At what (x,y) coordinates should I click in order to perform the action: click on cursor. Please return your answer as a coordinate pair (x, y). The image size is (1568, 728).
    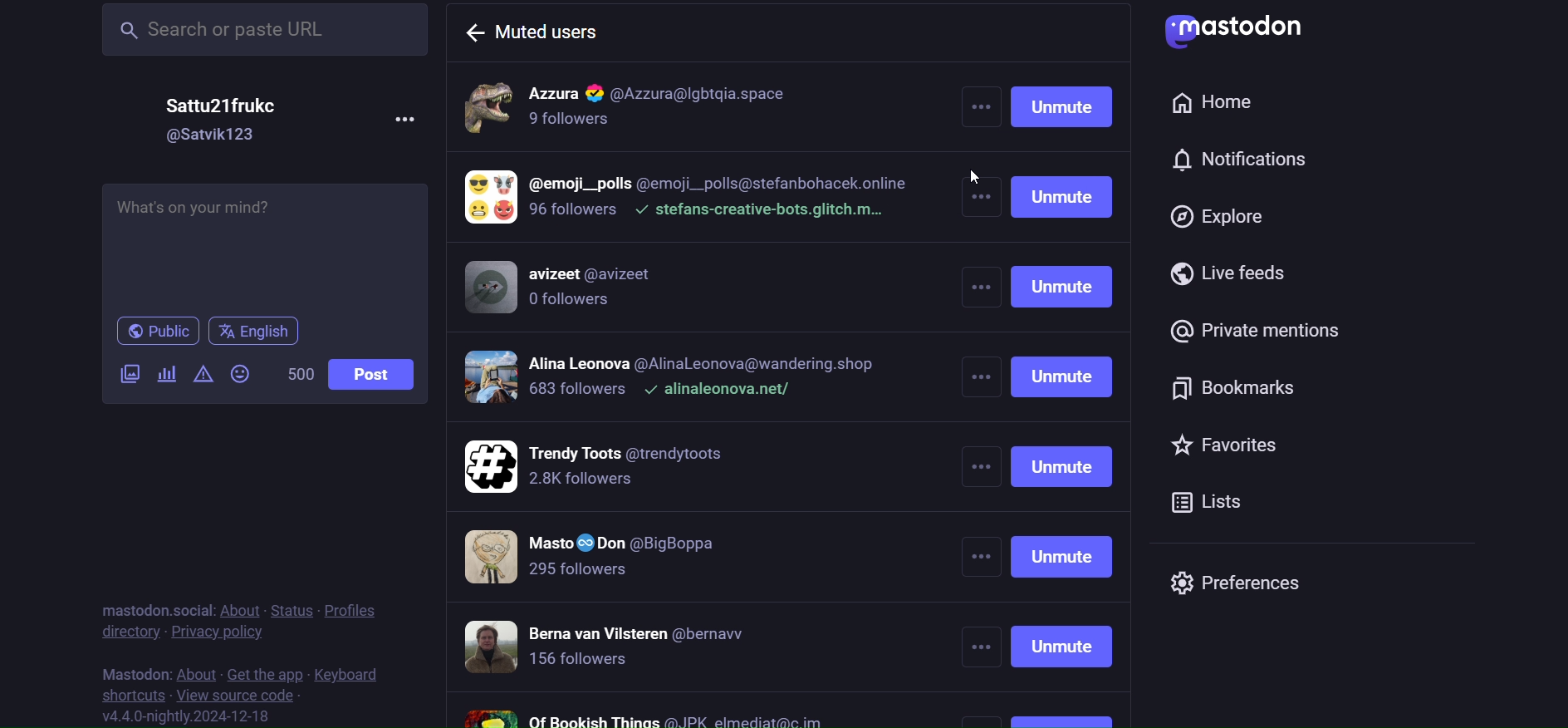
    Looking at the image, I should click on (974, 176).